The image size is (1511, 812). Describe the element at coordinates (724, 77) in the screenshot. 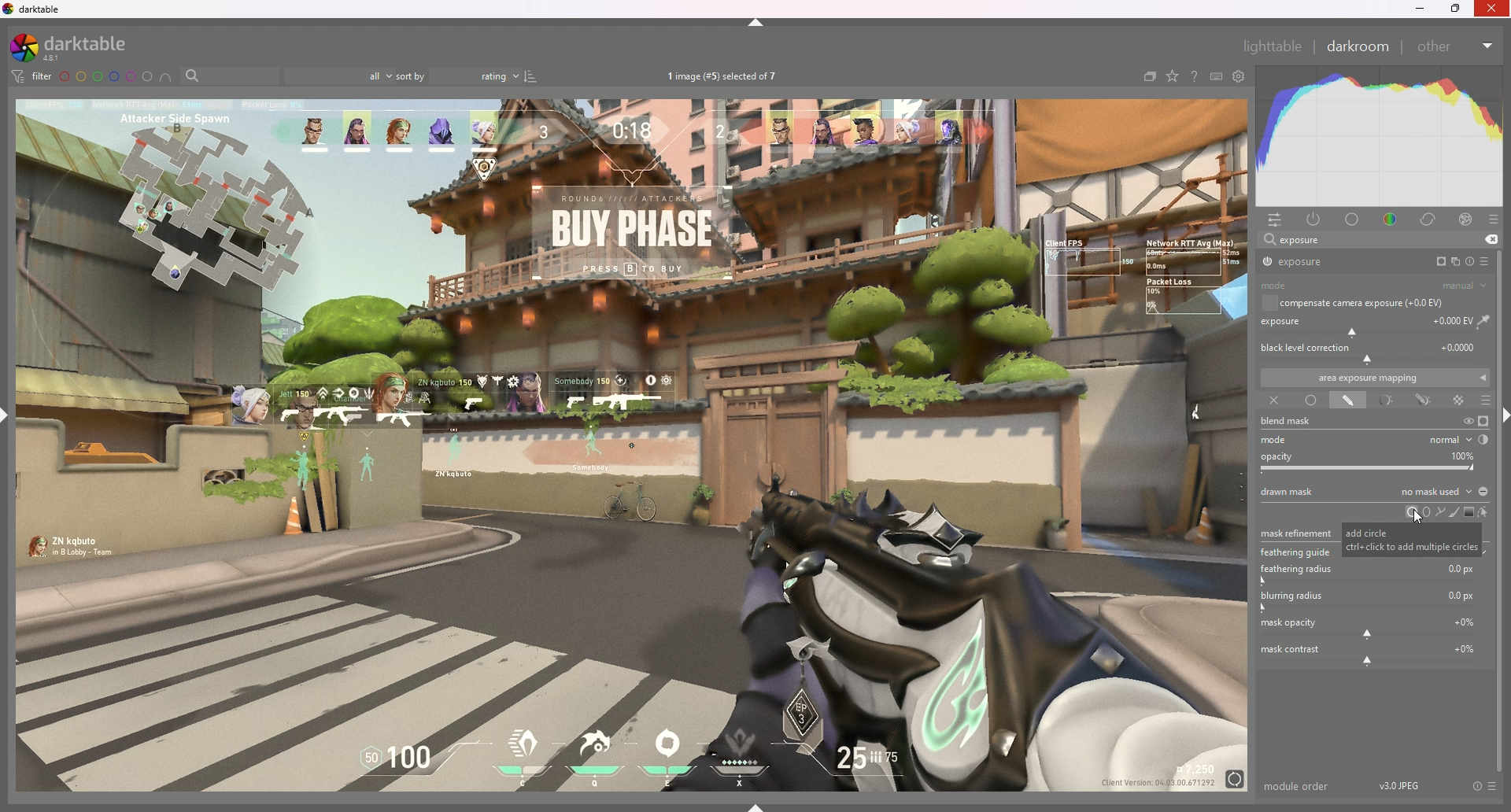

I see `images selected` at that location.